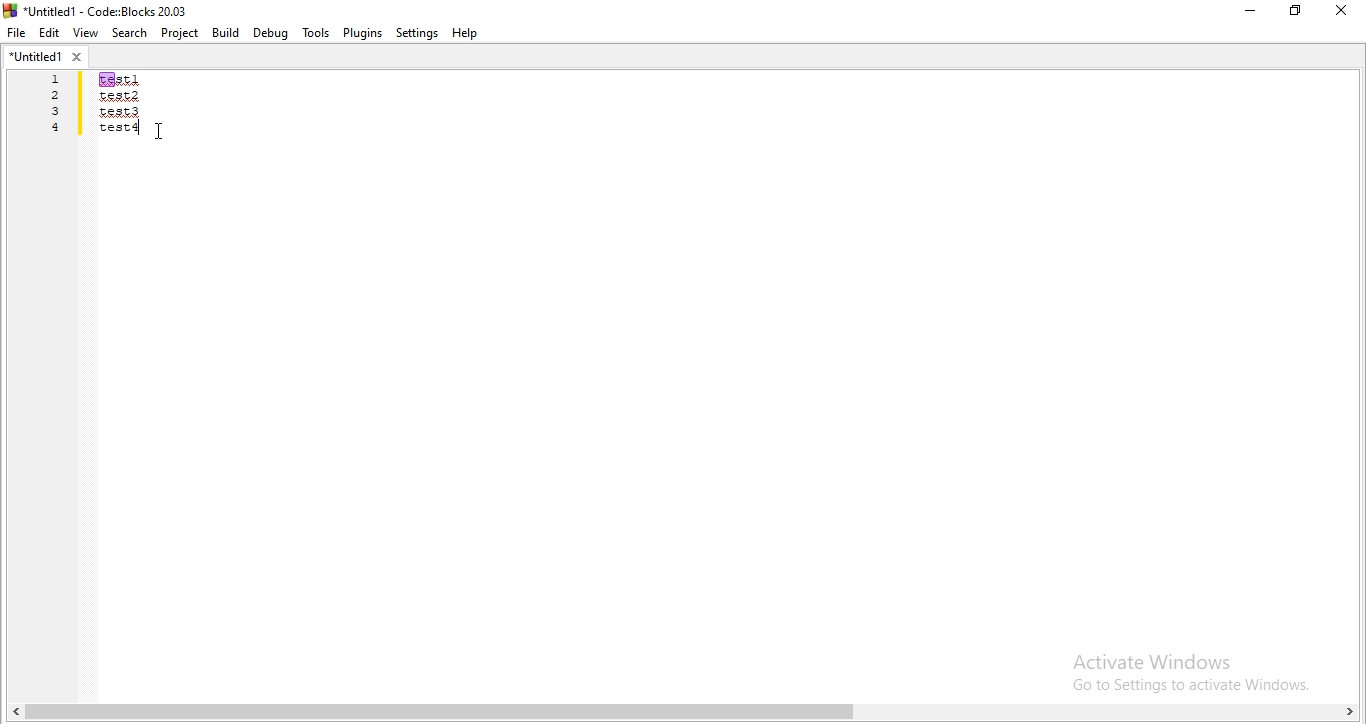 The height and width of the screenshot is (724, 1366). What do you see at coordinates (50, 33) in the screenshot?
I see `Edit ` at bounding box center [50, 33].